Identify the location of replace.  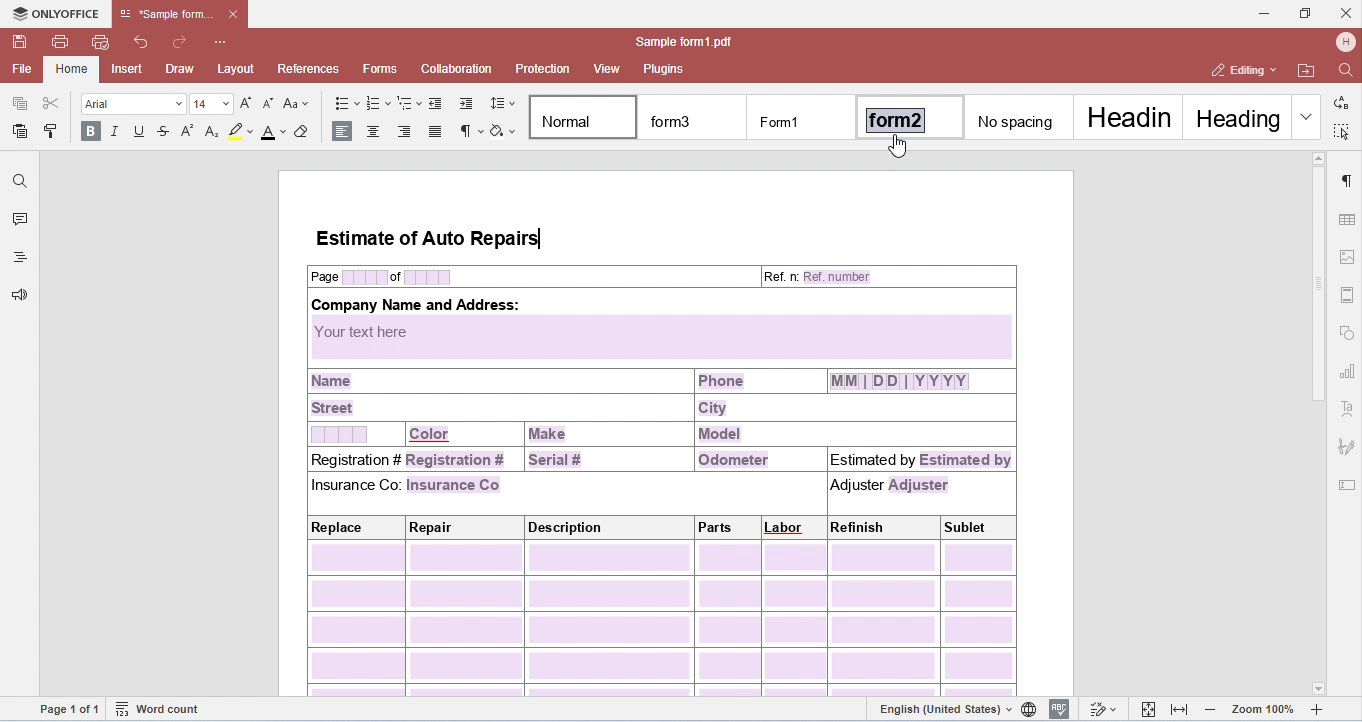
(1340, 100).